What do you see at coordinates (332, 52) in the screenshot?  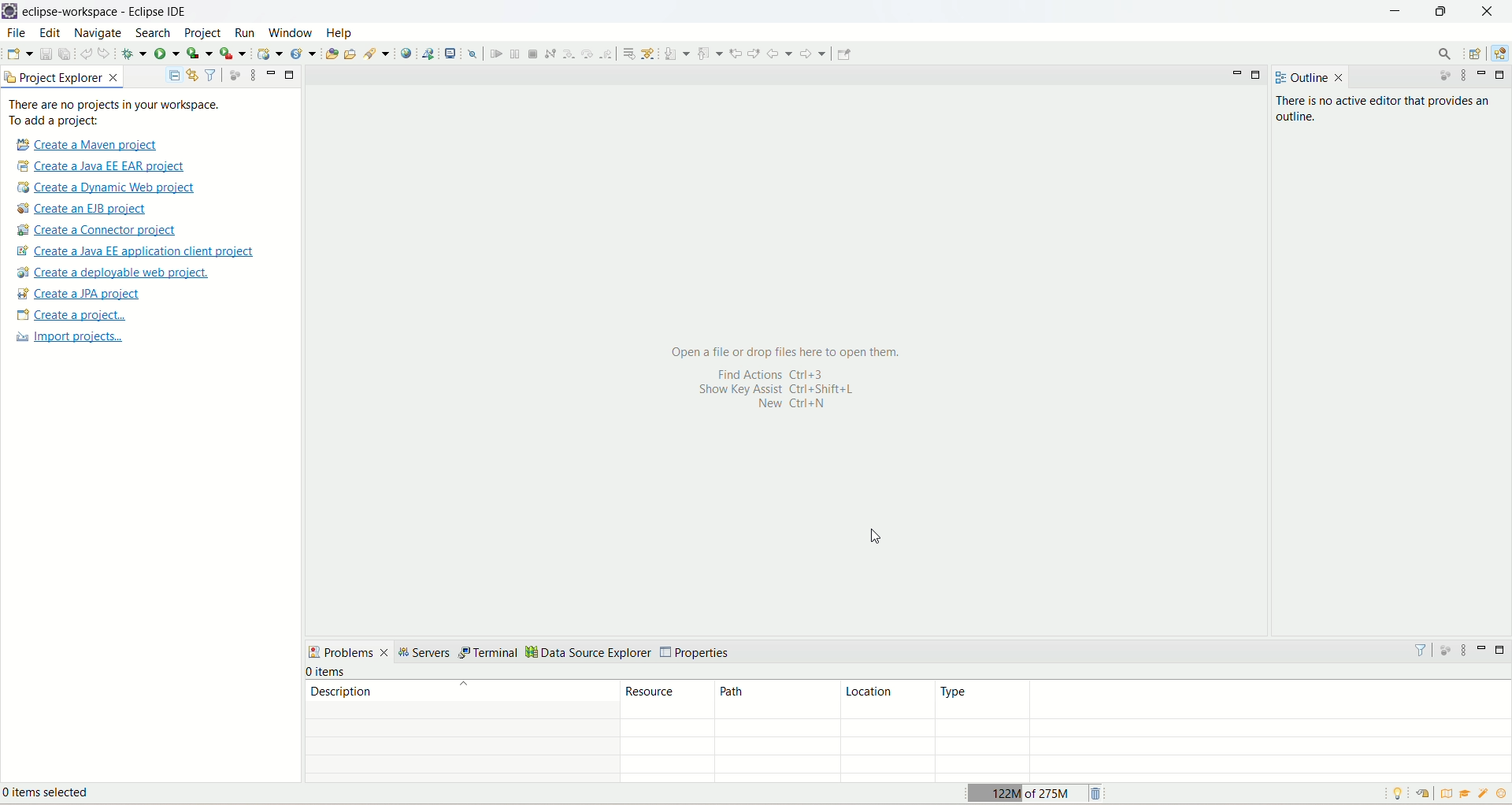 I see `open type` at bounding box center [332, 52].